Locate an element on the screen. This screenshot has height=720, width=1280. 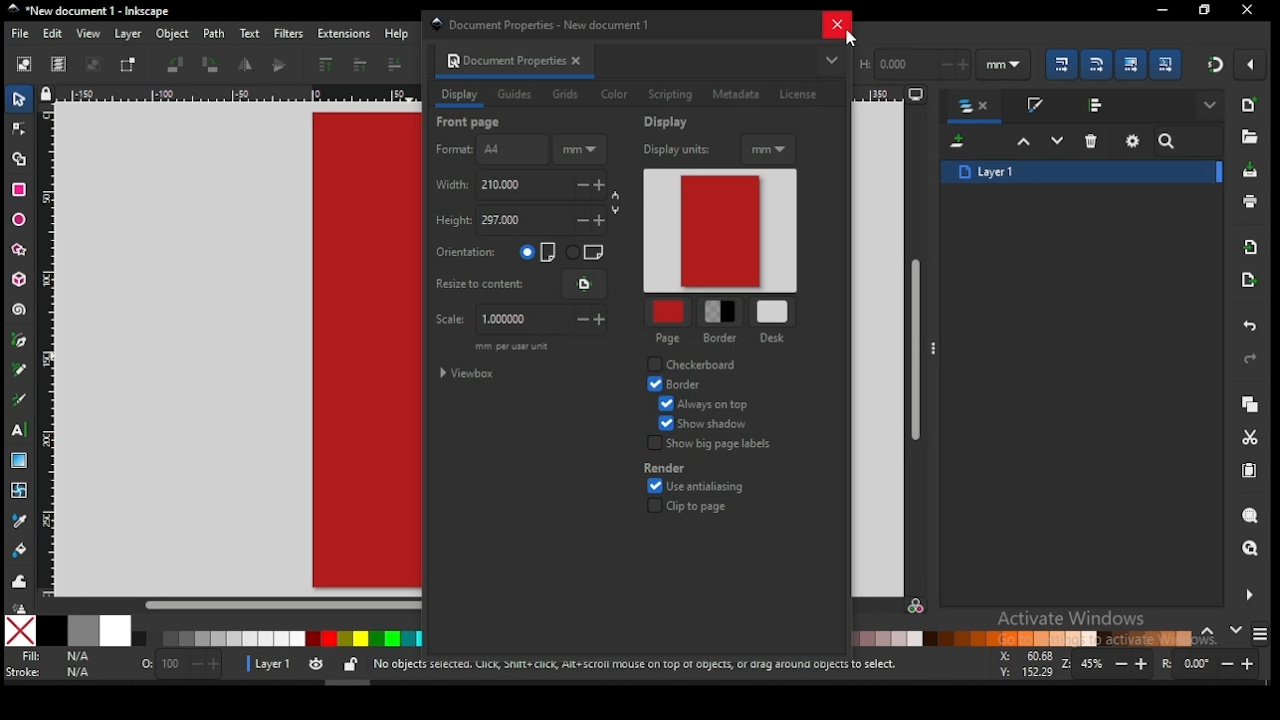
black is located at coordinates (52, 631).